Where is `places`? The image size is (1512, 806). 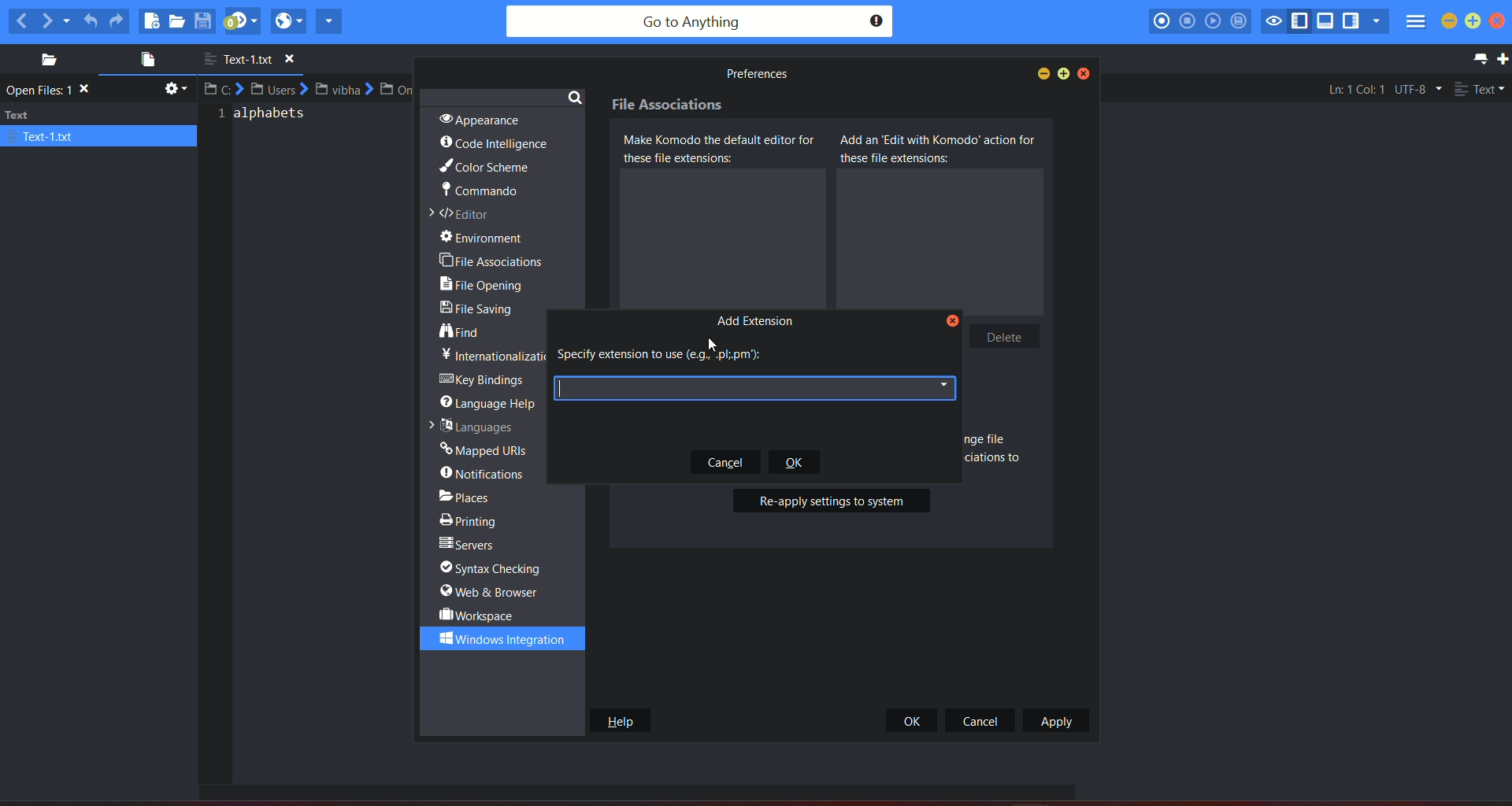
places is located at coordinates (478, 497).